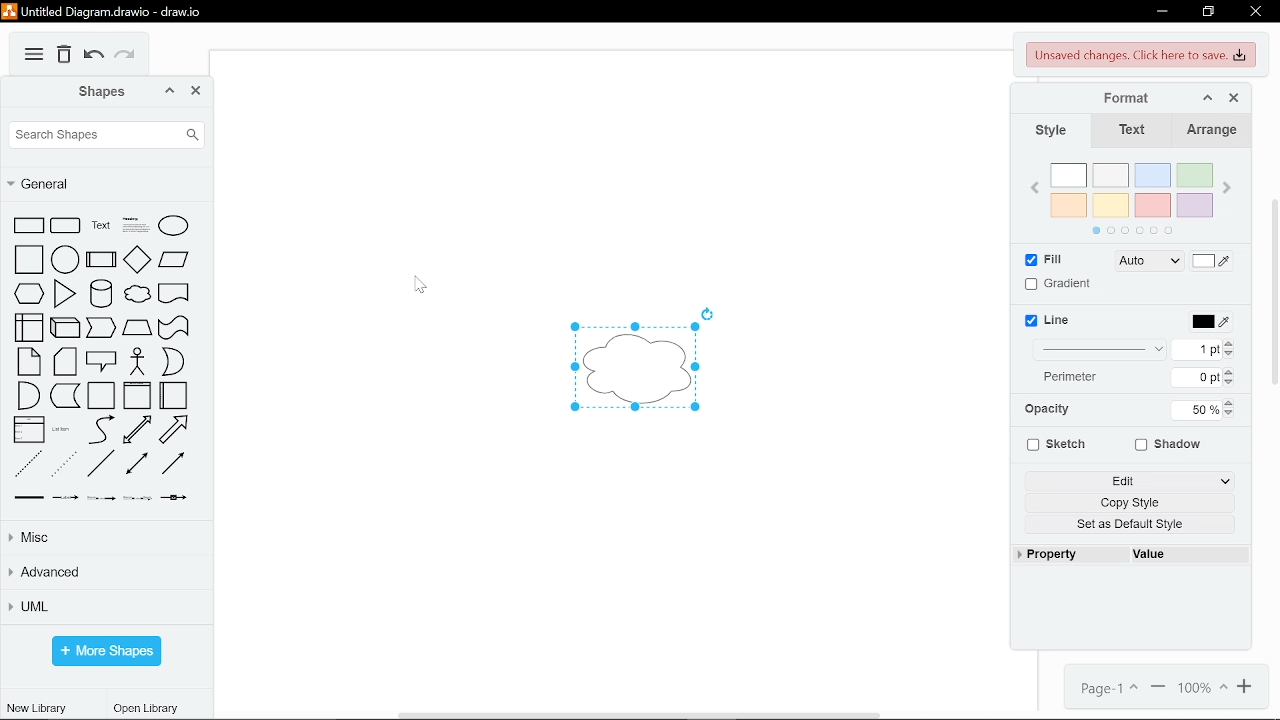 The width and height of the screenshot is (1280, 720). Describe the element at coordinates (29, 293) in the screenshot. I see `hexagon` at that location.